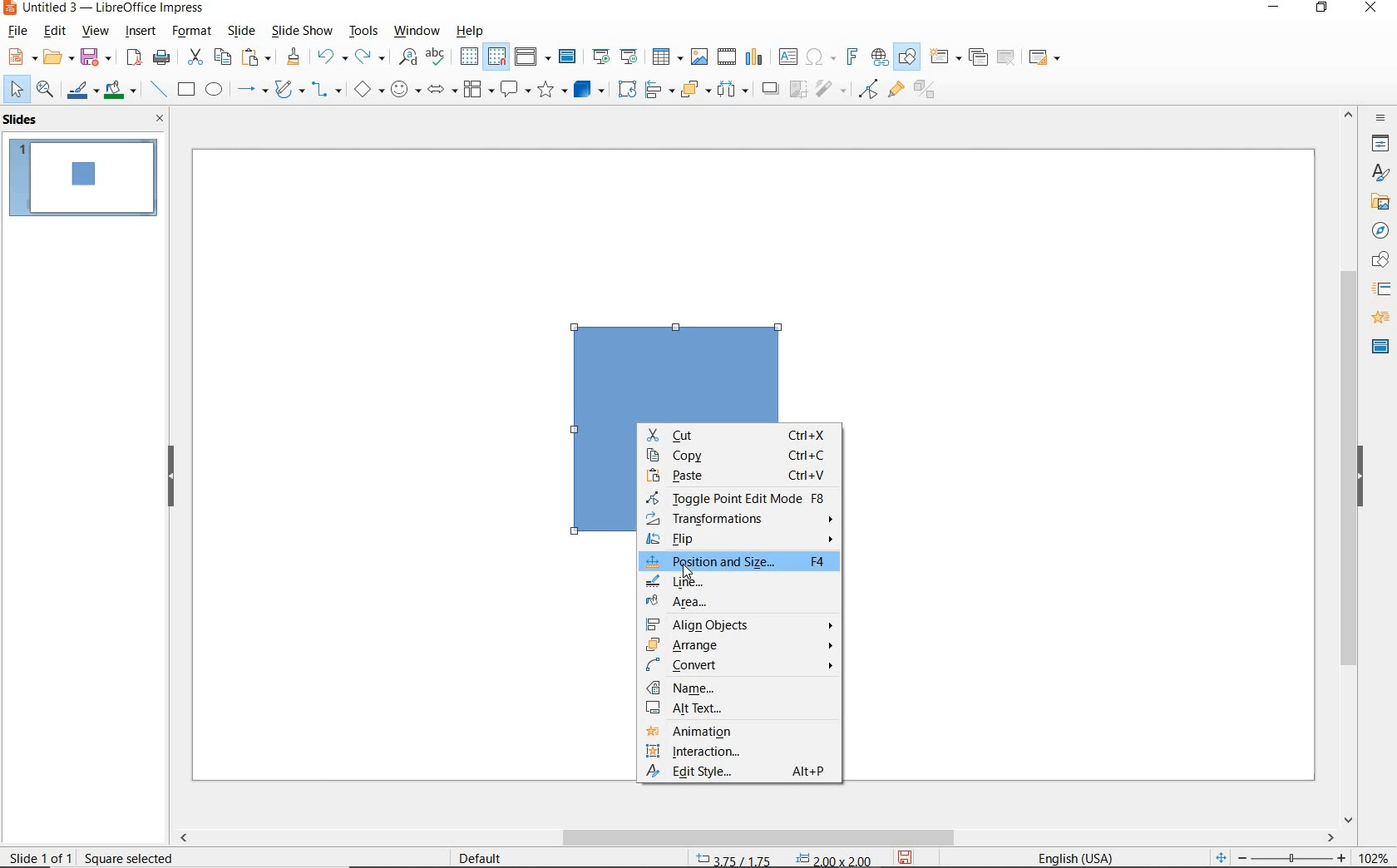 The image size is (1397, 868). Describe the element at coordinates (905, 858) in the screenshot. I see `save` at that location.